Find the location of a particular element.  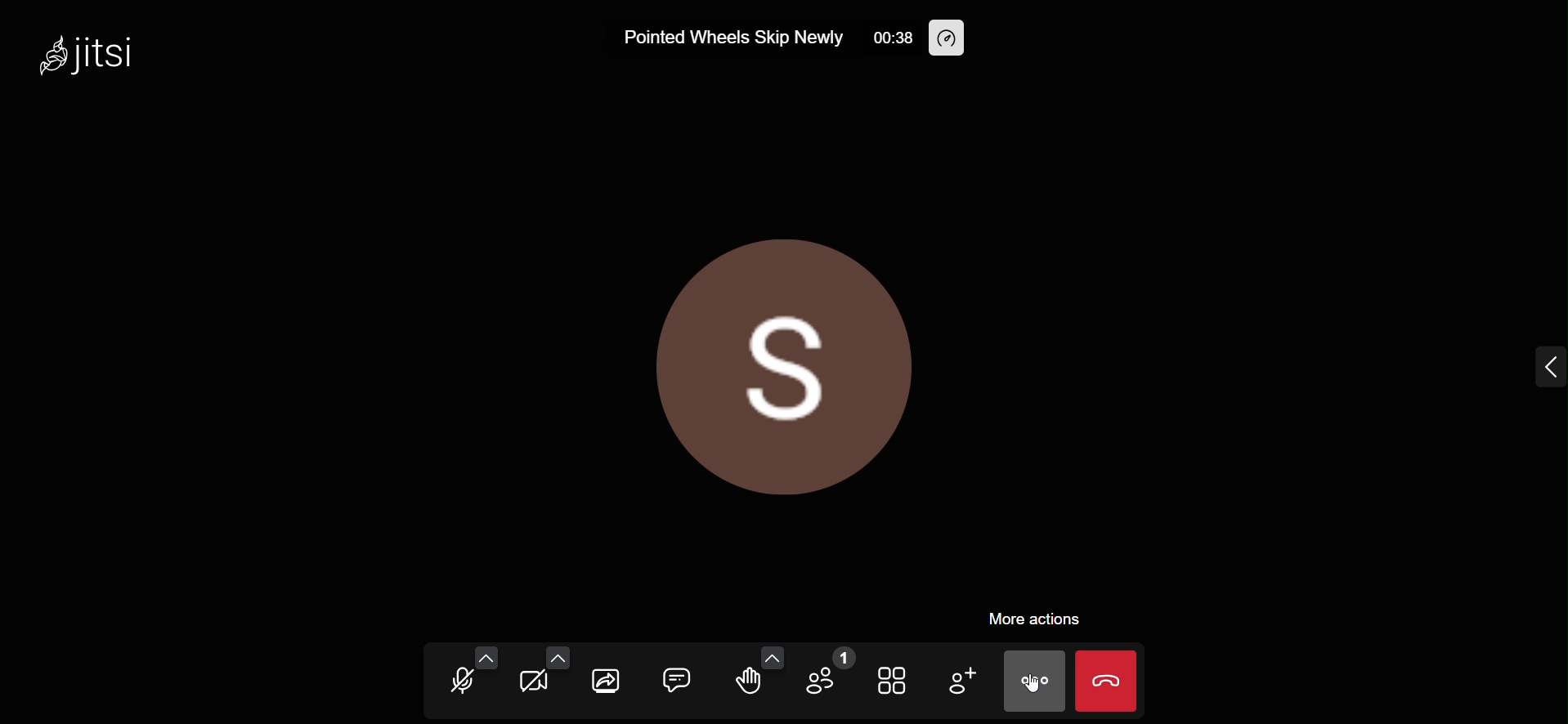

more actions is located at coordinates (1034, 682).